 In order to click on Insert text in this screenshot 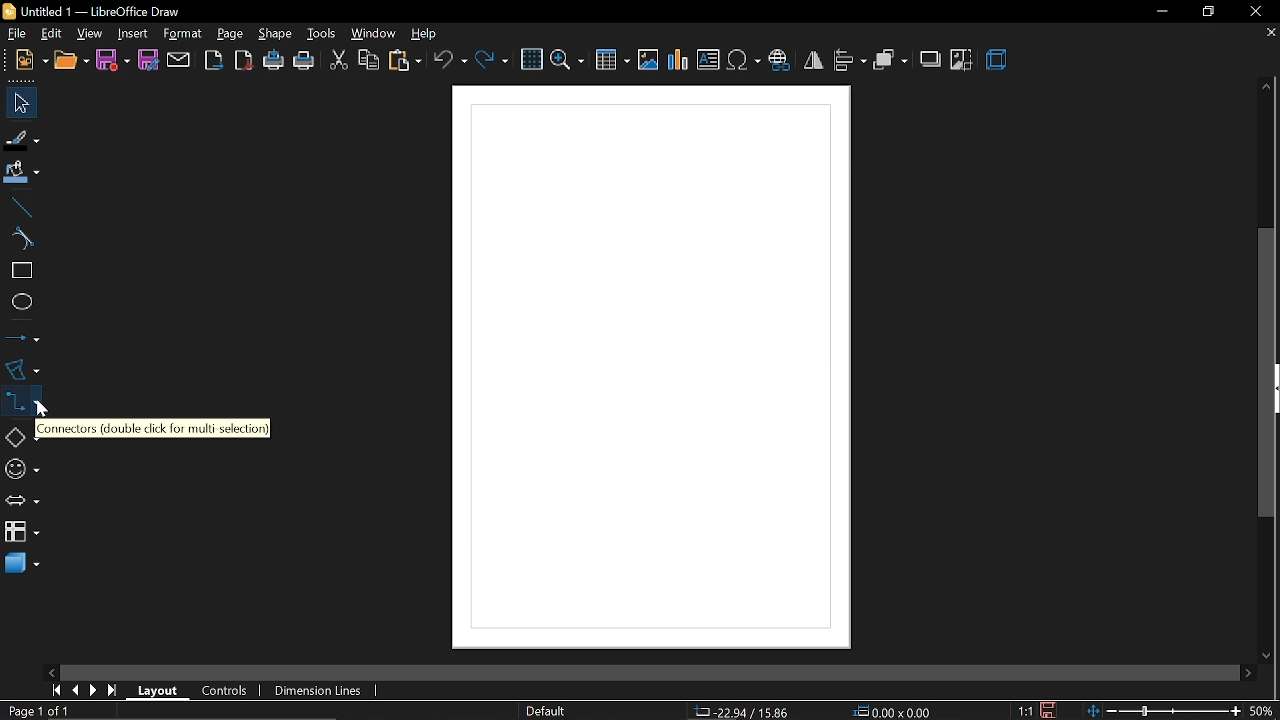, I will do `click(708, 60)`.